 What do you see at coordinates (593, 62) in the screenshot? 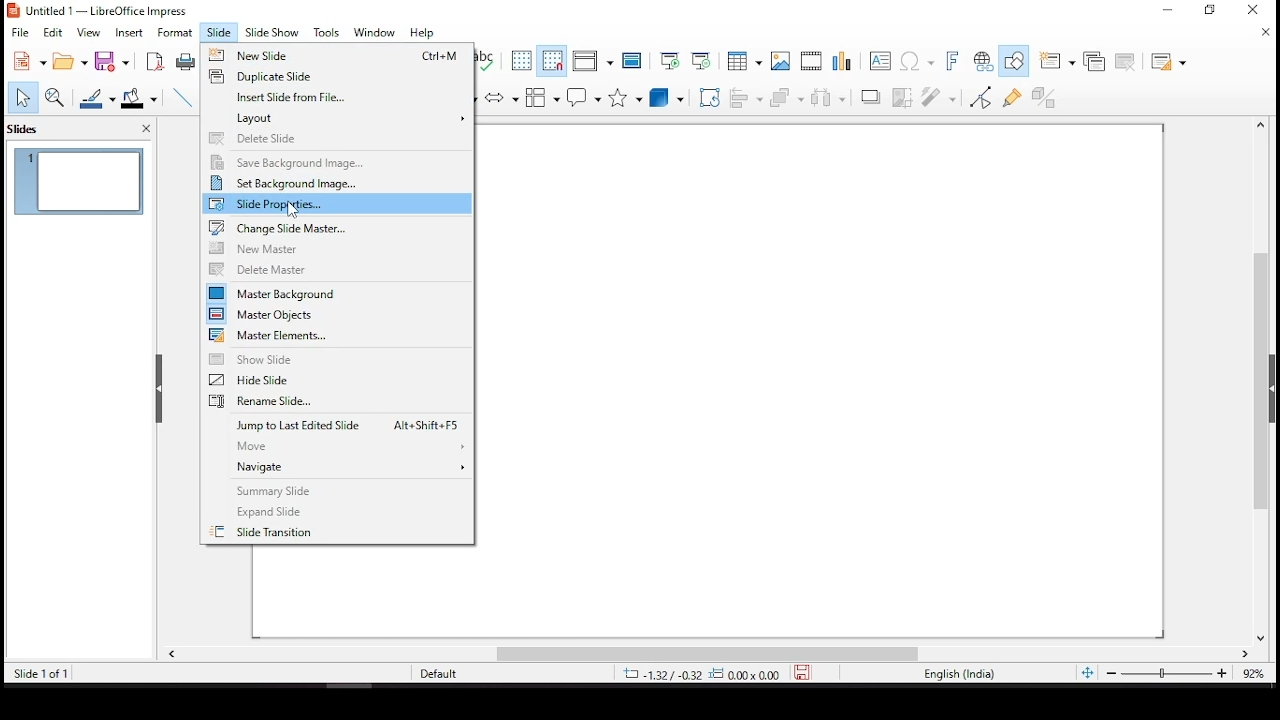
I see `display views` at bounding box center [593, 62].